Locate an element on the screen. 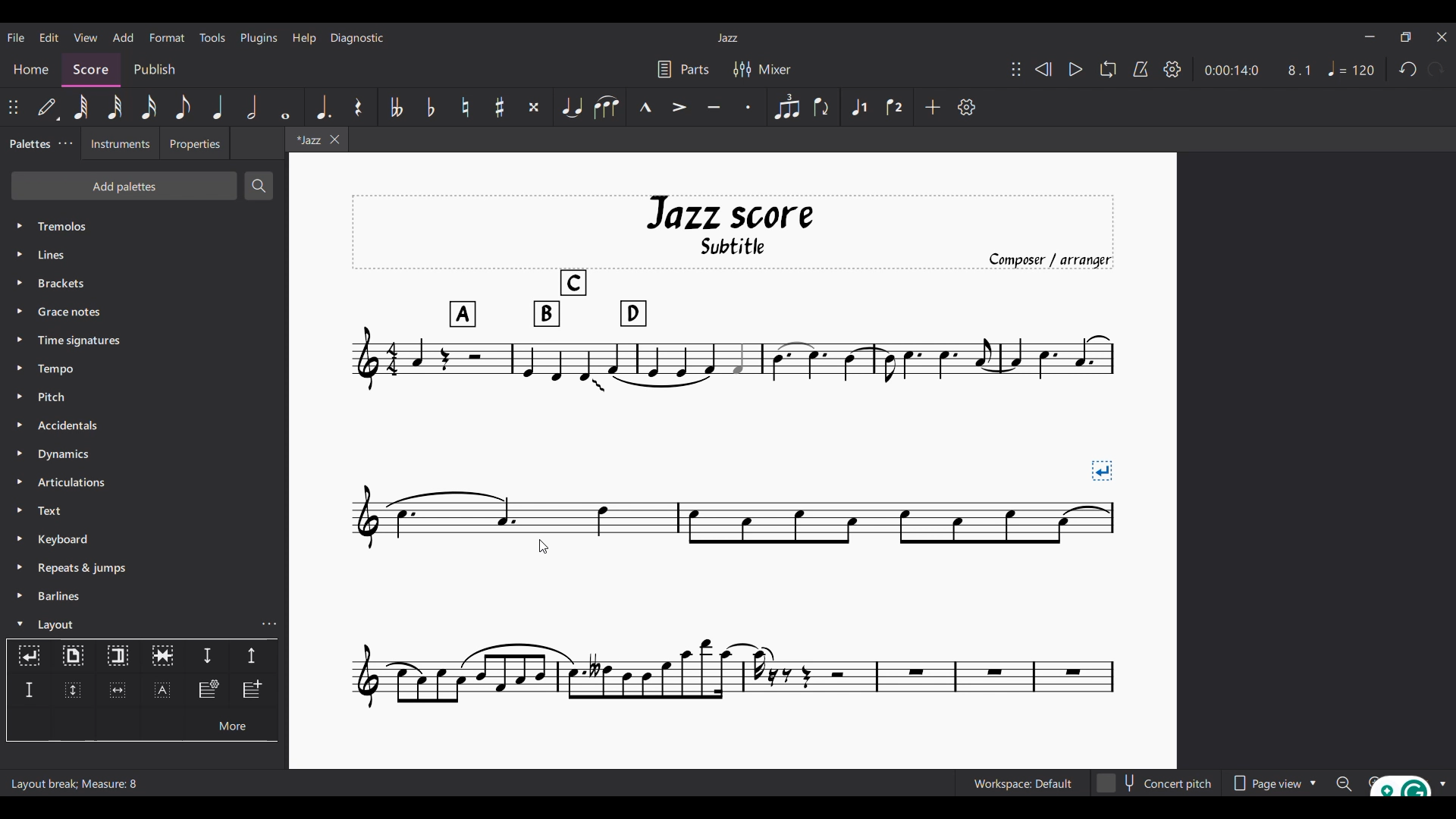 The image size is (1456, 819). Tremolos is located at coordinates (145, 226).